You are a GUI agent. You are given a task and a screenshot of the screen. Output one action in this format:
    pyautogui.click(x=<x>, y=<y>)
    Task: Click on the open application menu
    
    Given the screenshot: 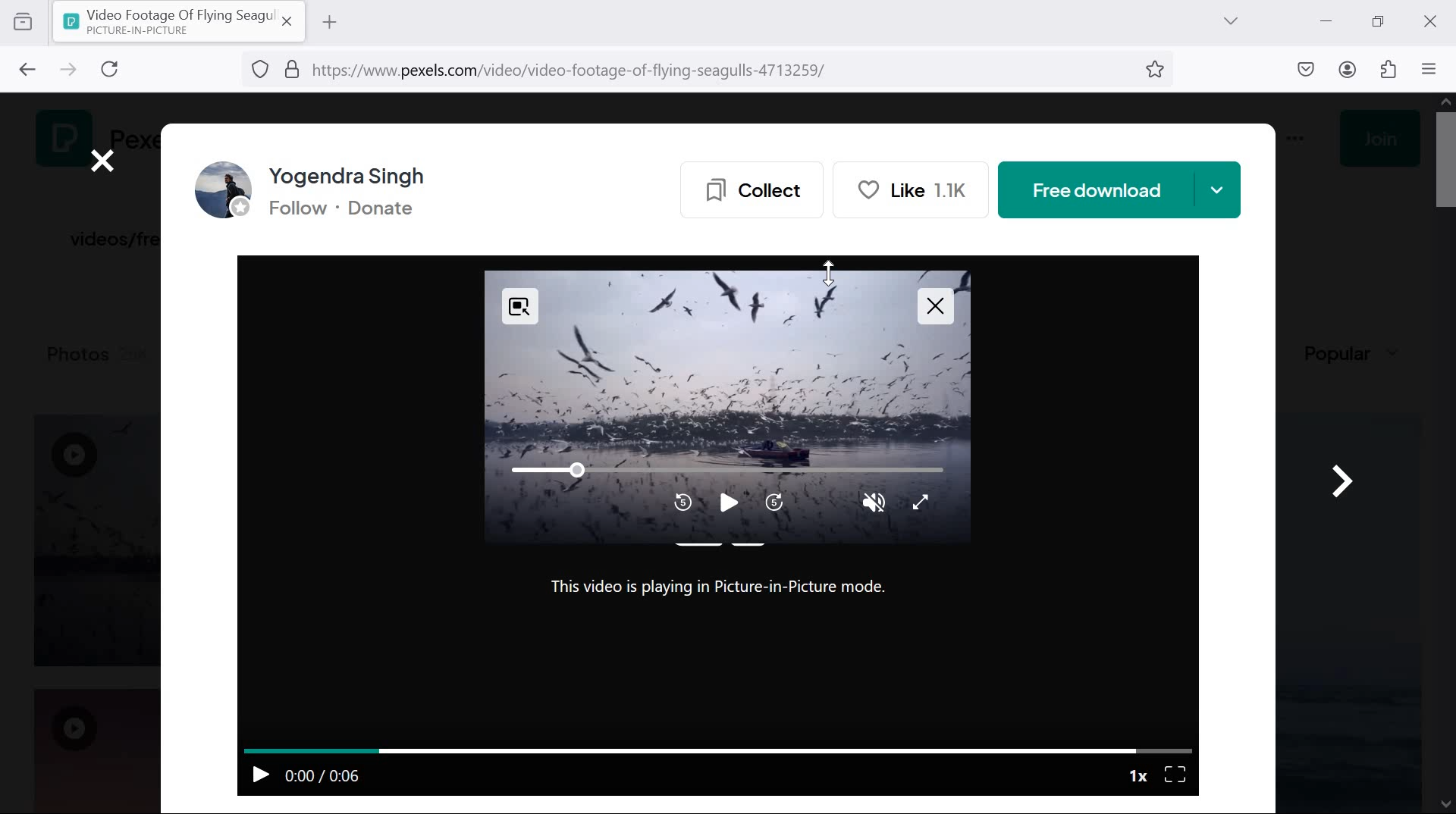 What is the action you would take?
    pyautogui.click(x=1432, y=70)
    